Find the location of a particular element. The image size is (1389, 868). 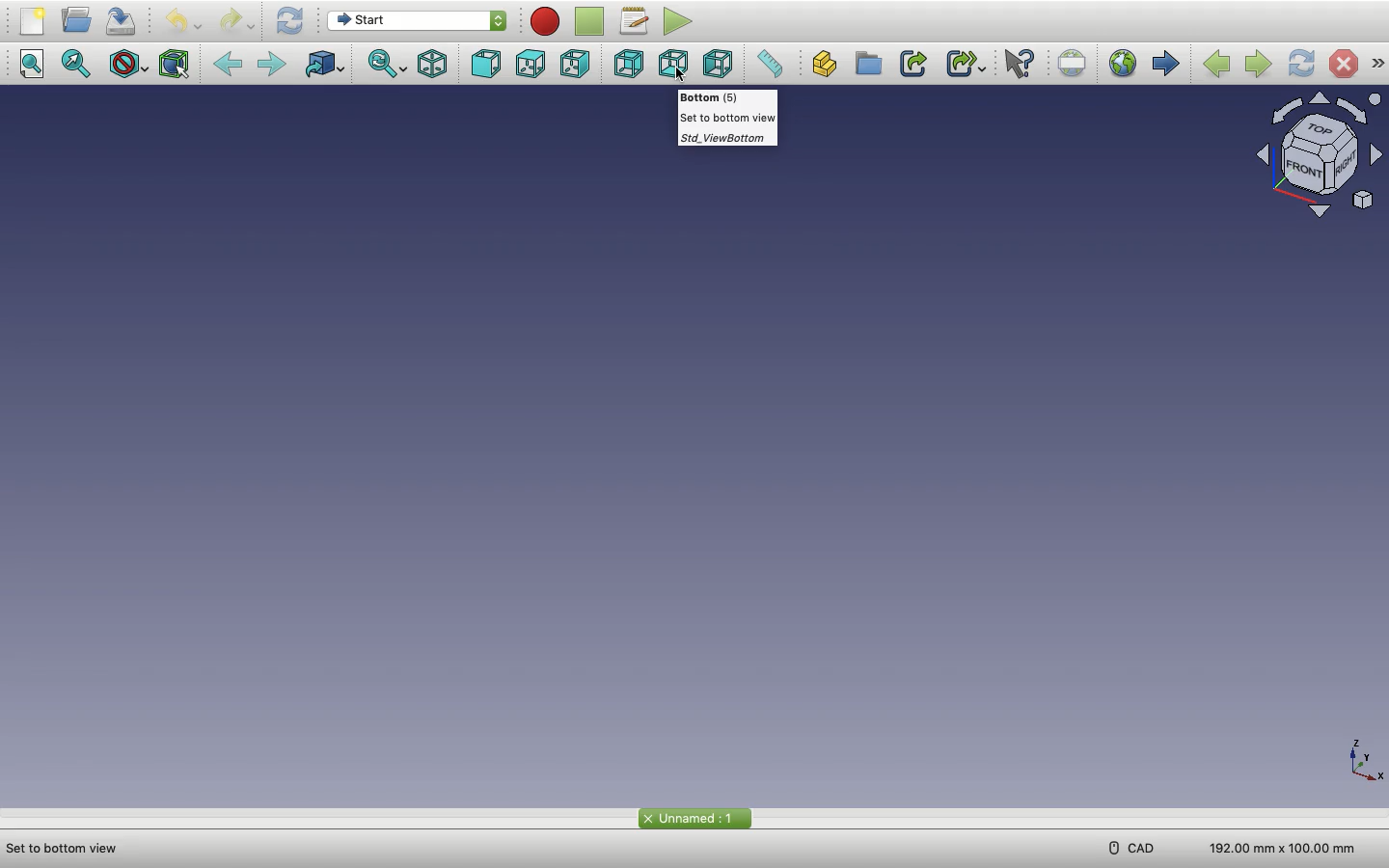

Forward is located at coordinates (278, 66).